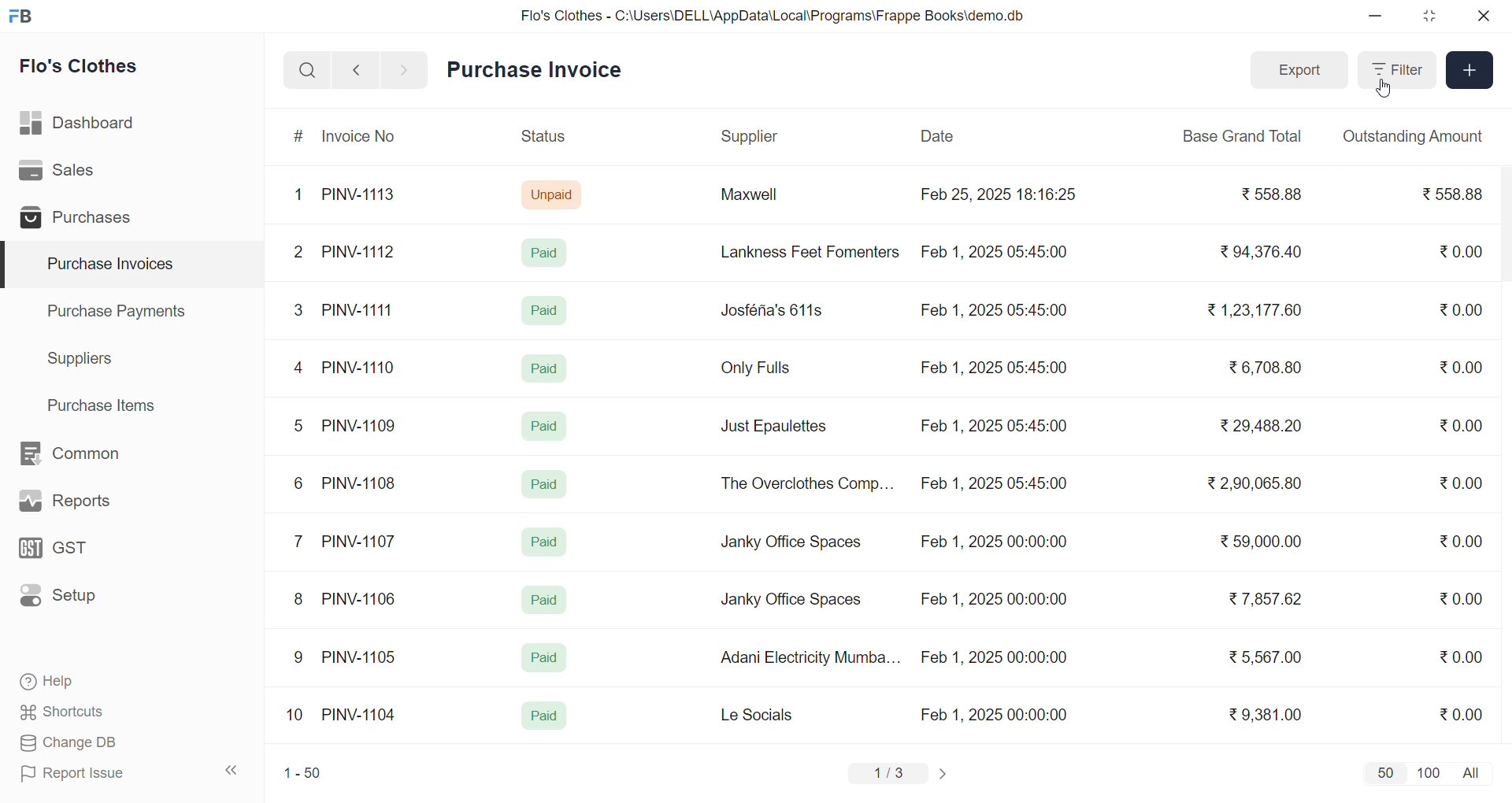  I want to click on navigate forward, so click(406, 68).